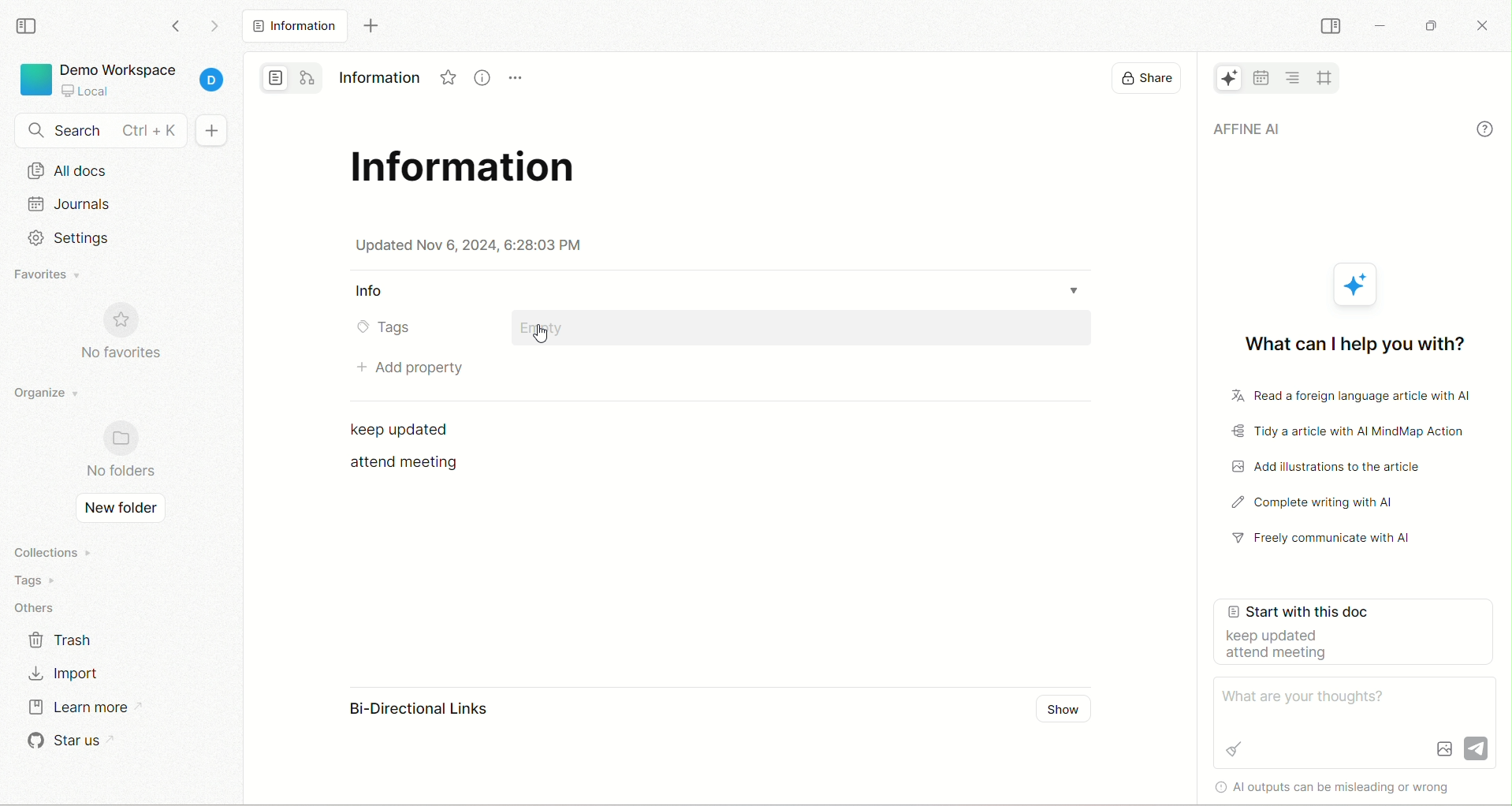 The height and width of the screenshot is (806, 1512). I want to click on all docs, so click(296, 26).